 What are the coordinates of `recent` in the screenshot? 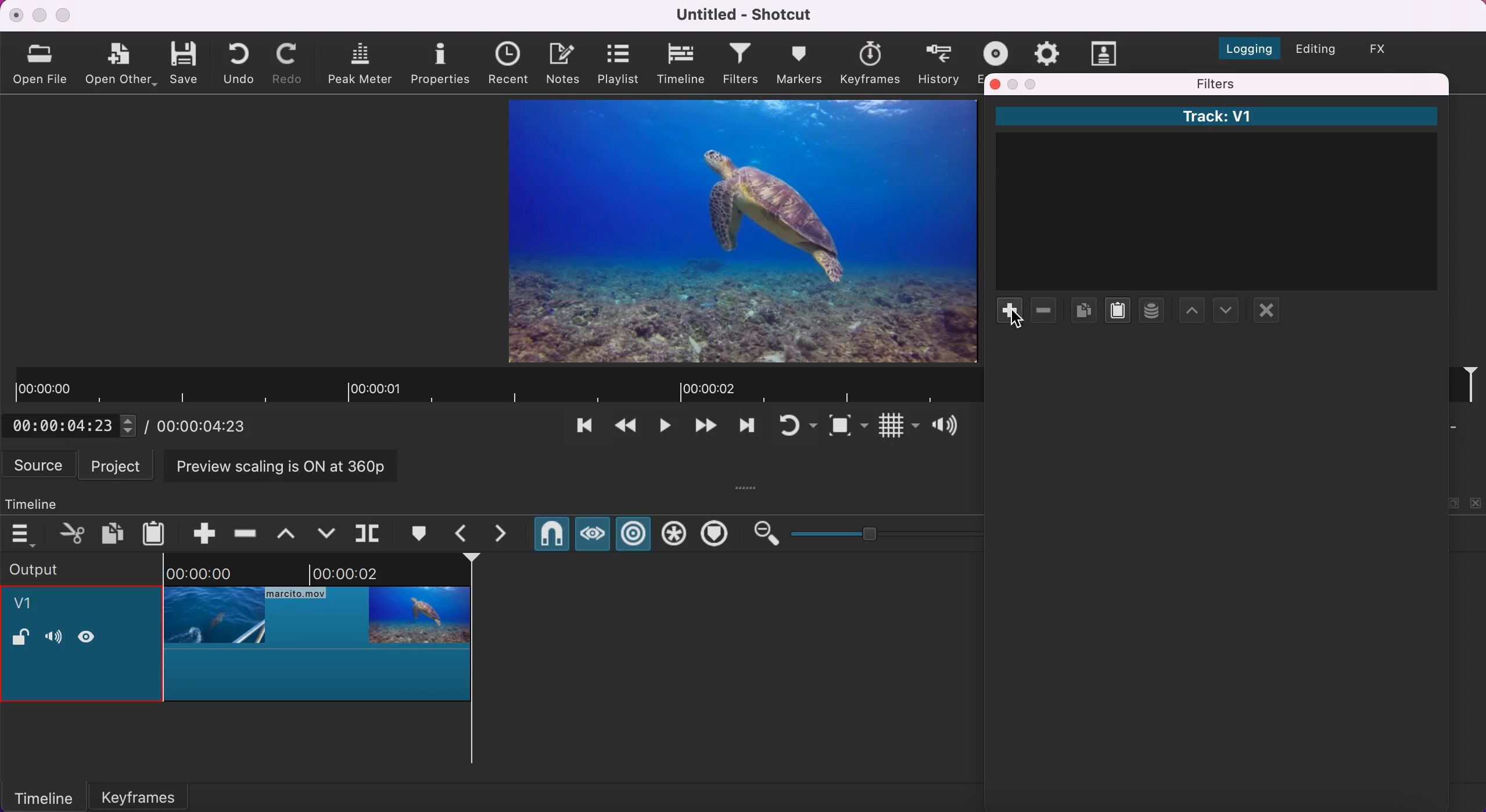 It's located at (512, 64).